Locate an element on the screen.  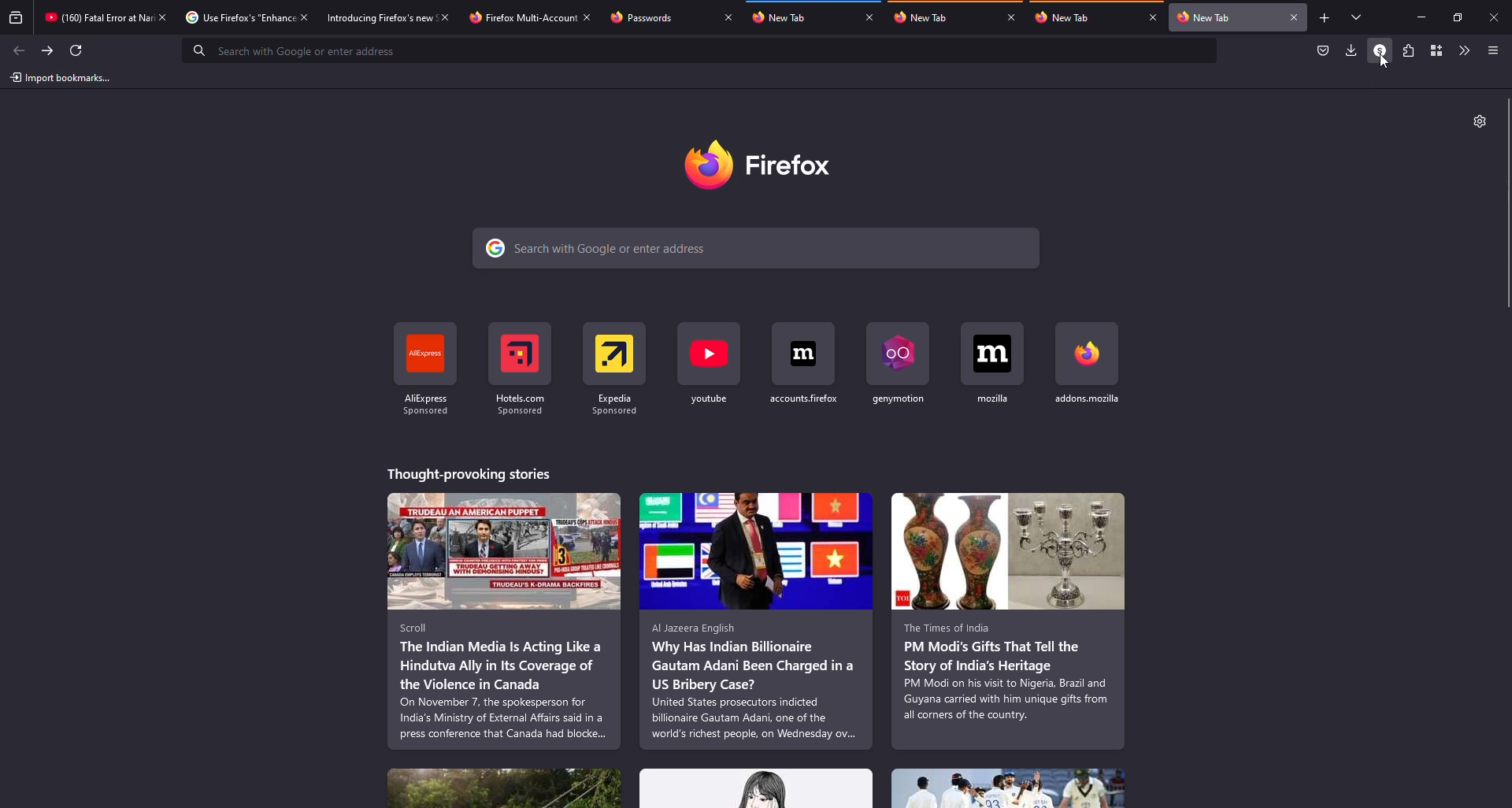
maximize is located at coordinates (1458, 17).